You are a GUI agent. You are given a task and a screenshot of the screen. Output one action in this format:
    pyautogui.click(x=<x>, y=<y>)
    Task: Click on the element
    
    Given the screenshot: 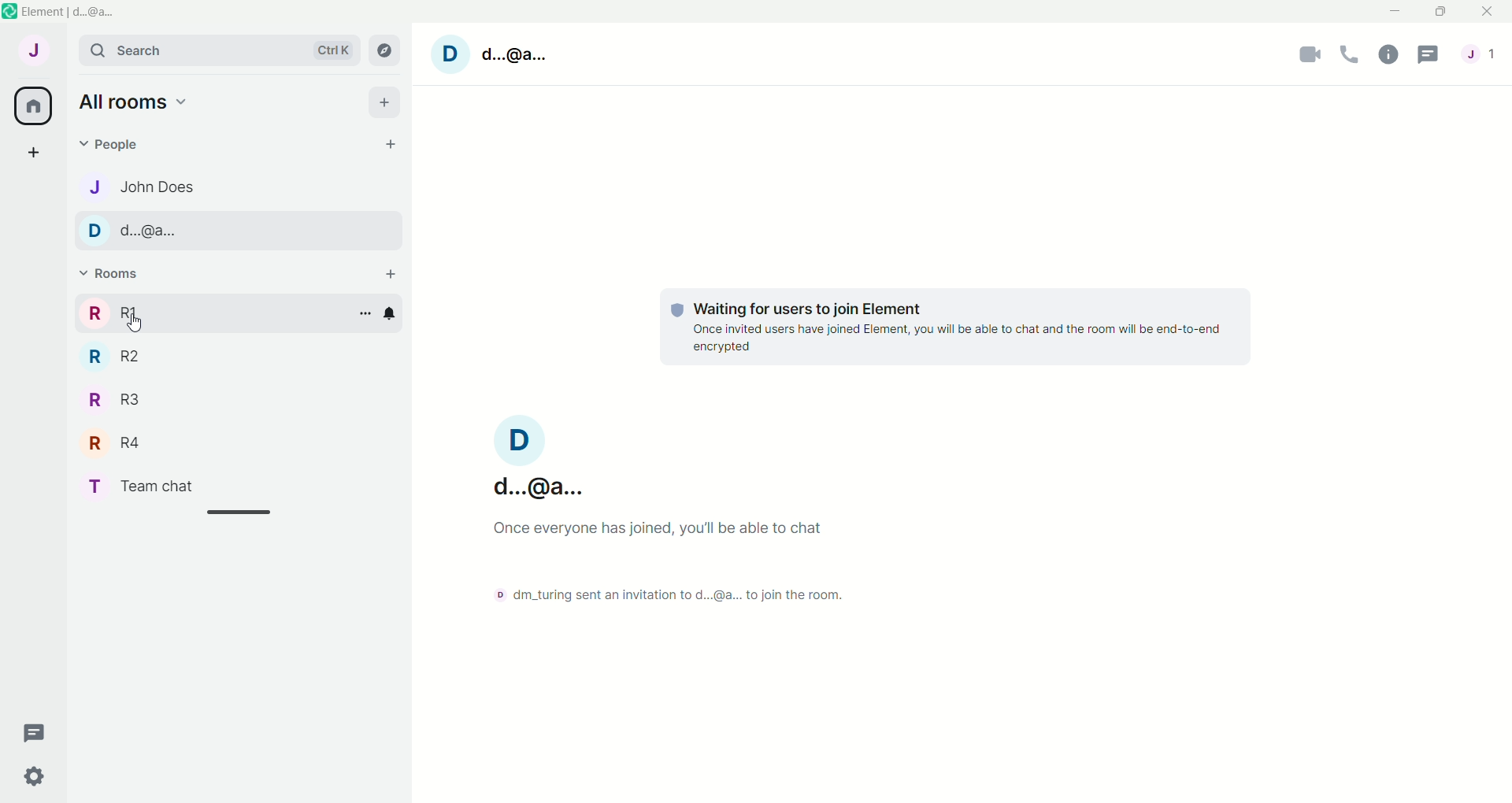 What is the action you would take?
    pyautogui.click(x=69, y=13)
    